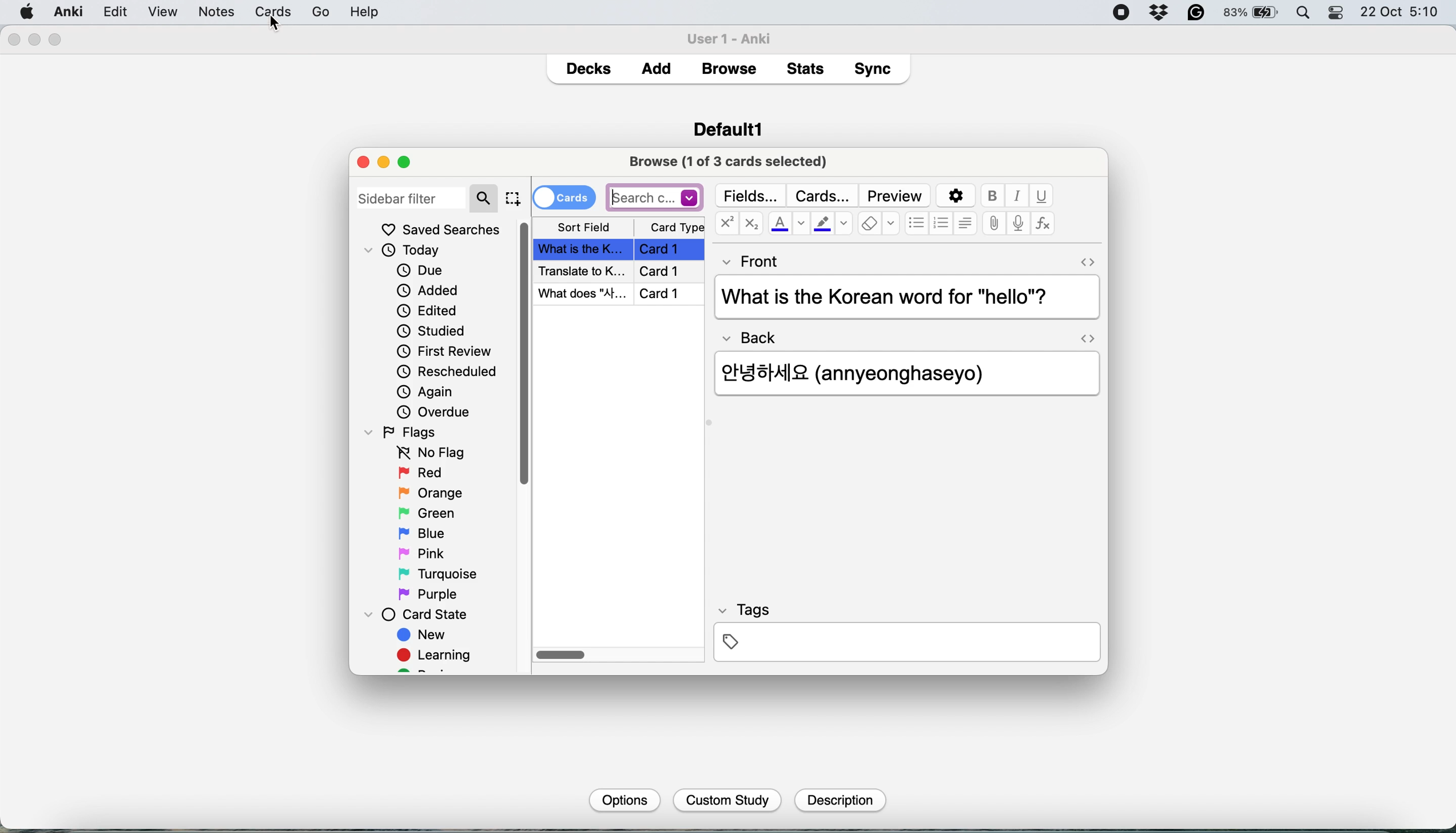 This screenshot has width=1456, height=833. I want to click on selection tool, so click(512, 198).